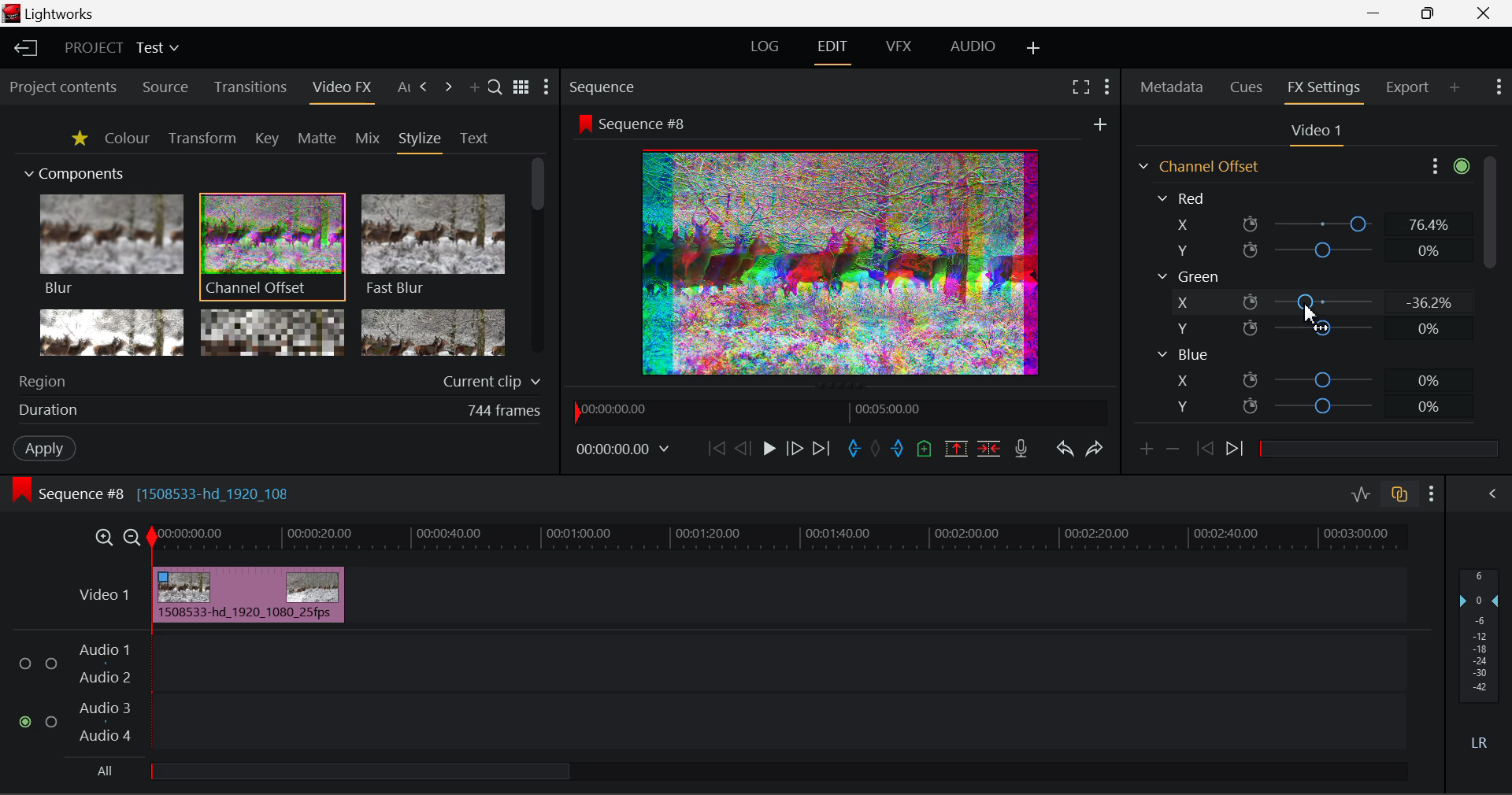 Image resolution: width=1512 pixels, height=795 pixels. I want to click on Video Settings, so click(1314, 134).